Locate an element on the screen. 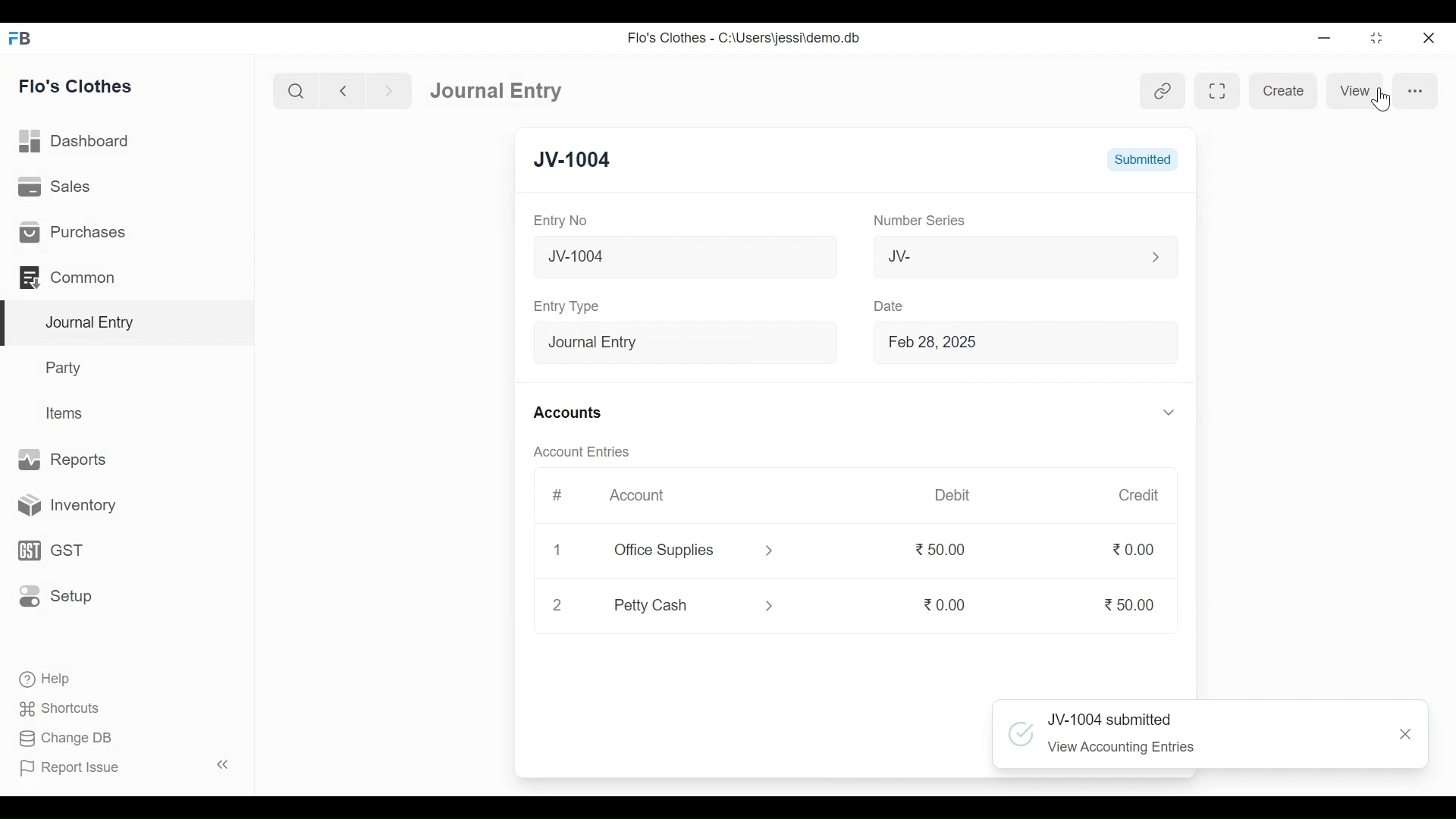 The height and width of the screenshot is (819, 1456). Office Supplies is located at coordinates (674, 551).